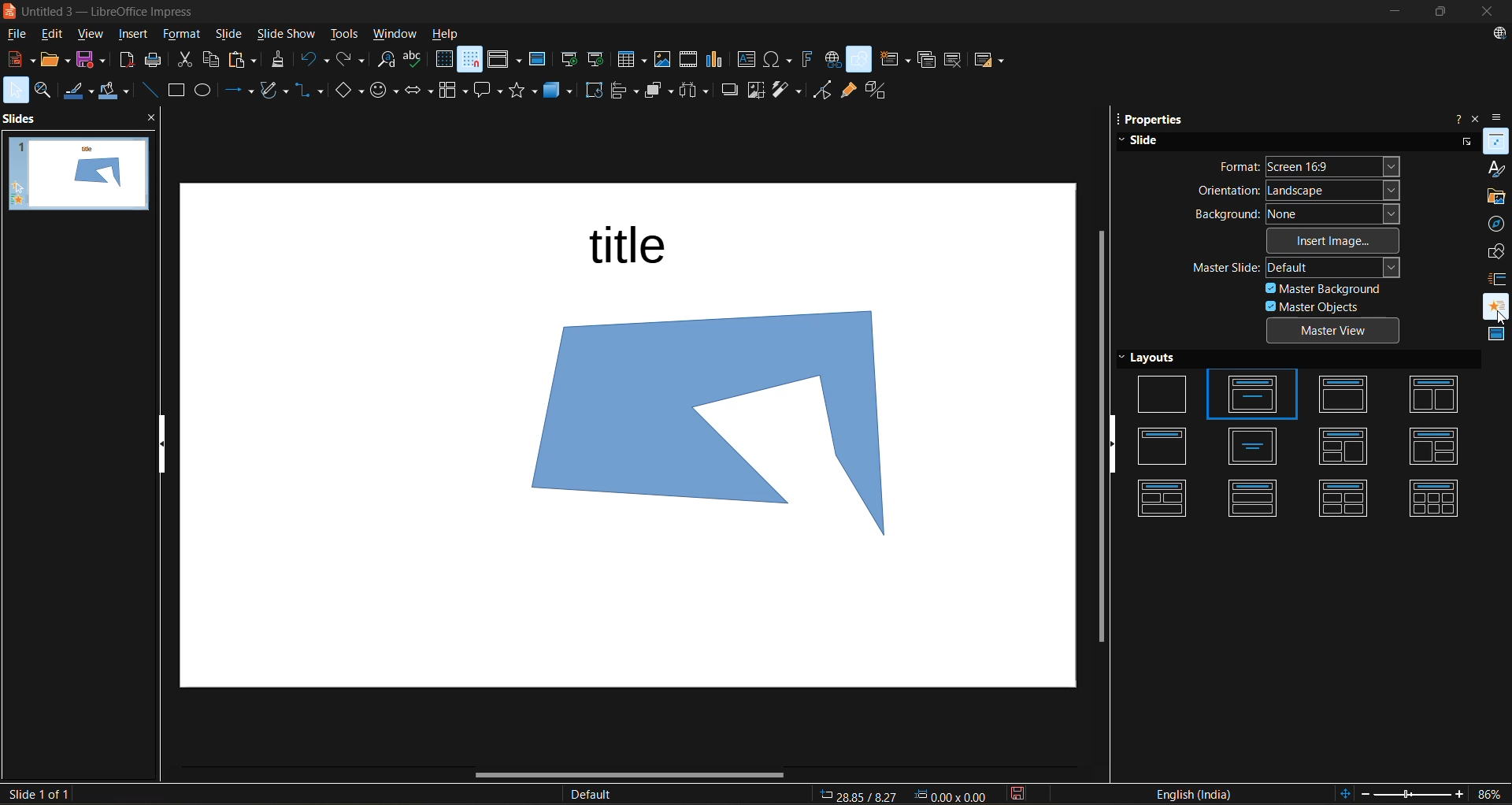  I want to click on find and replace, so click(386, 61).